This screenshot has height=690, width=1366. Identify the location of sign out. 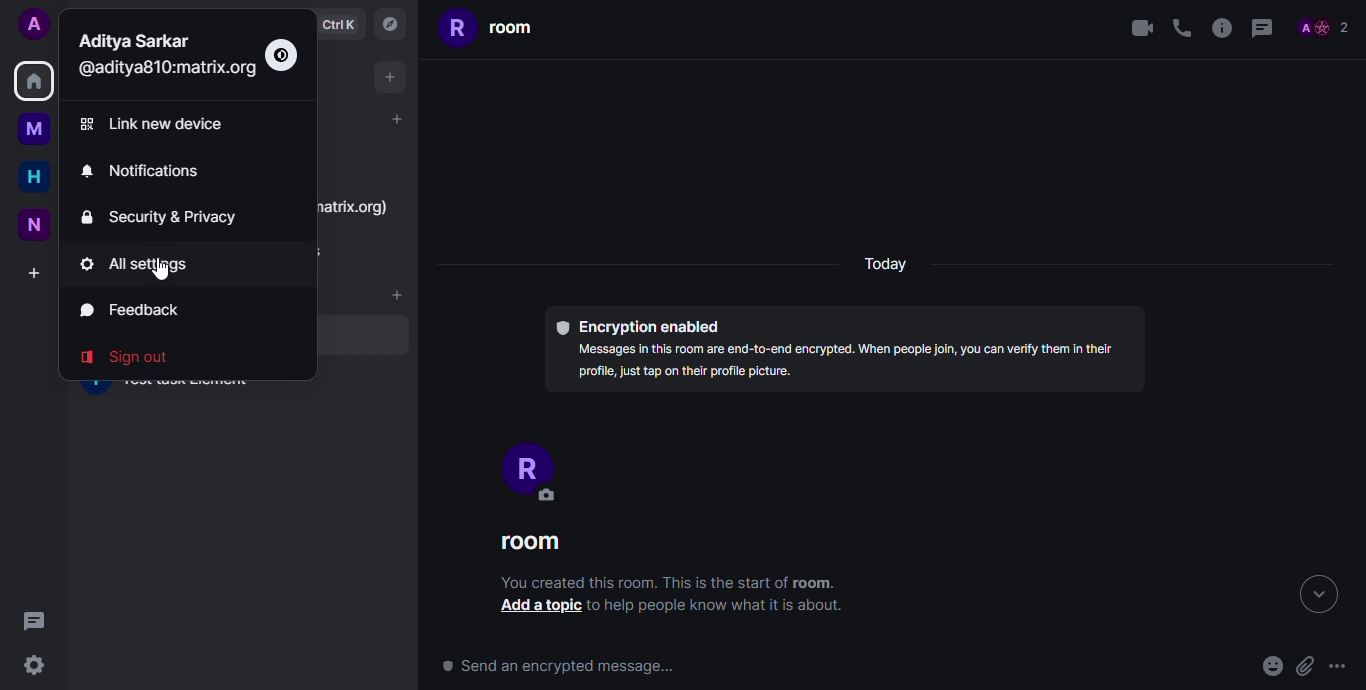
(132, 357).